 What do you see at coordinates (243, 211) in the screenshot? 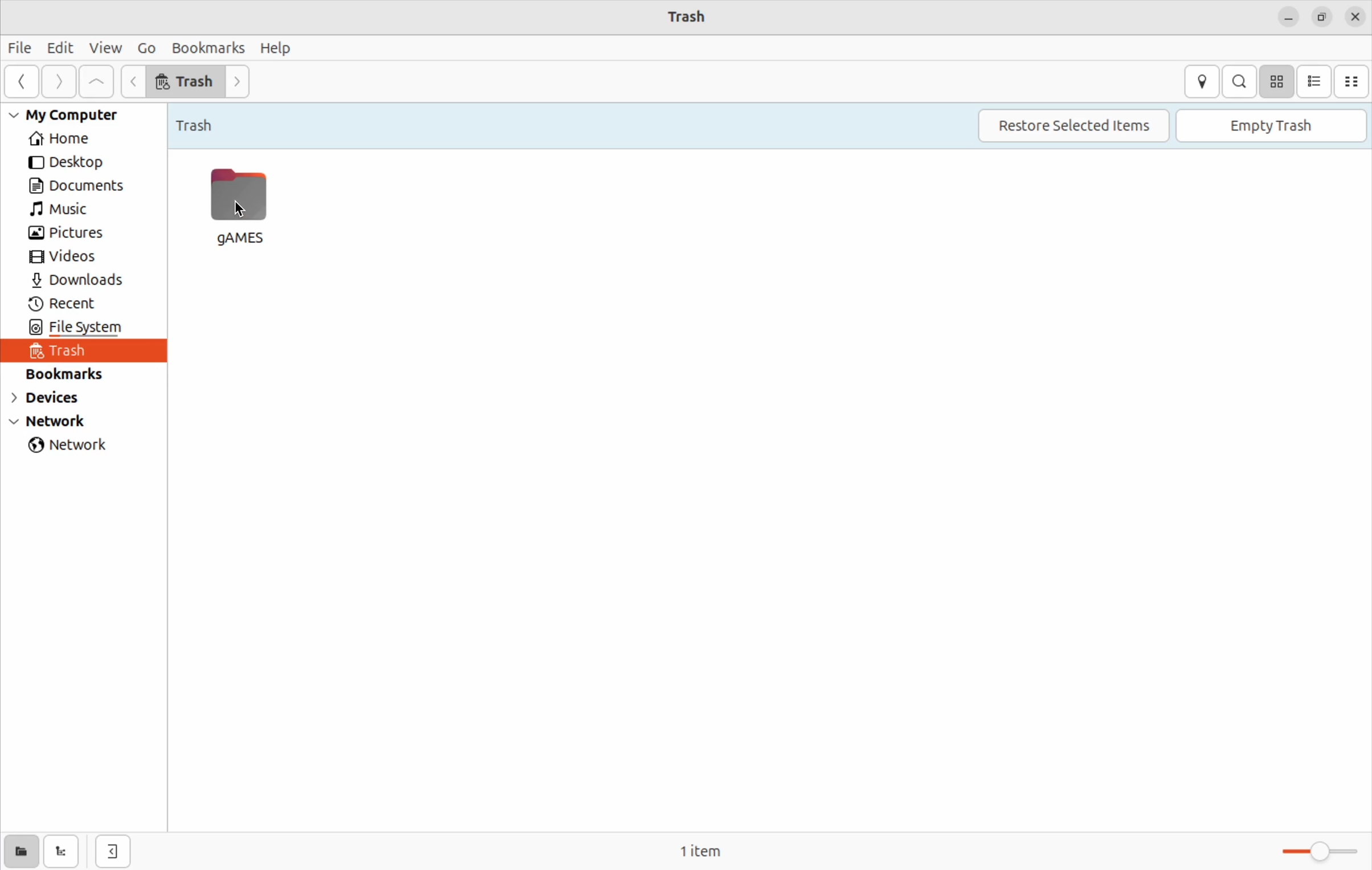
I see `cursor` at bounding box center [243, 211].